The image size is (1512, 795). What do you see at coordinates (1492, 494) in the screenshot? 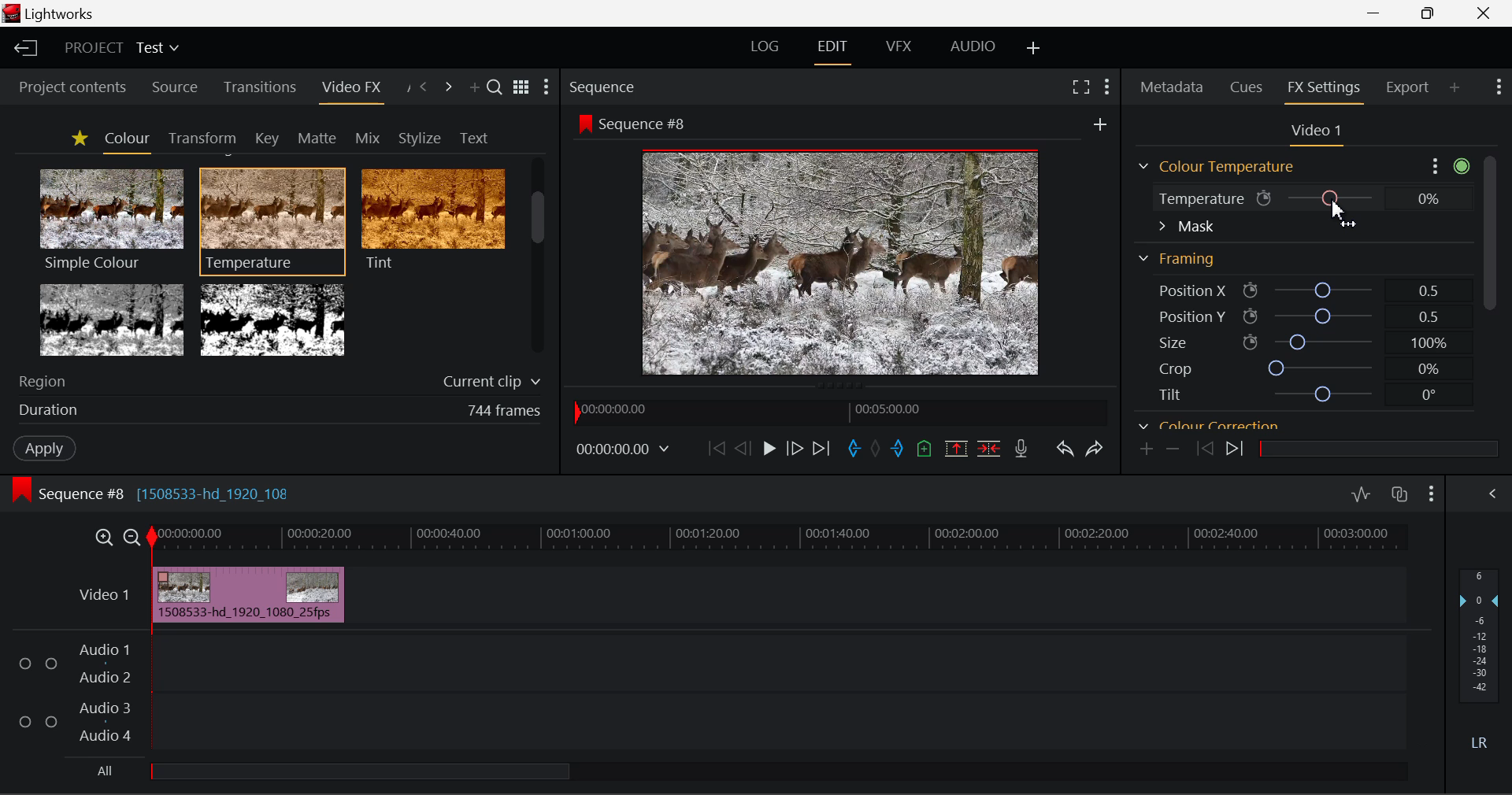
I see `Show Settings` at bounding box center [1492, 494].